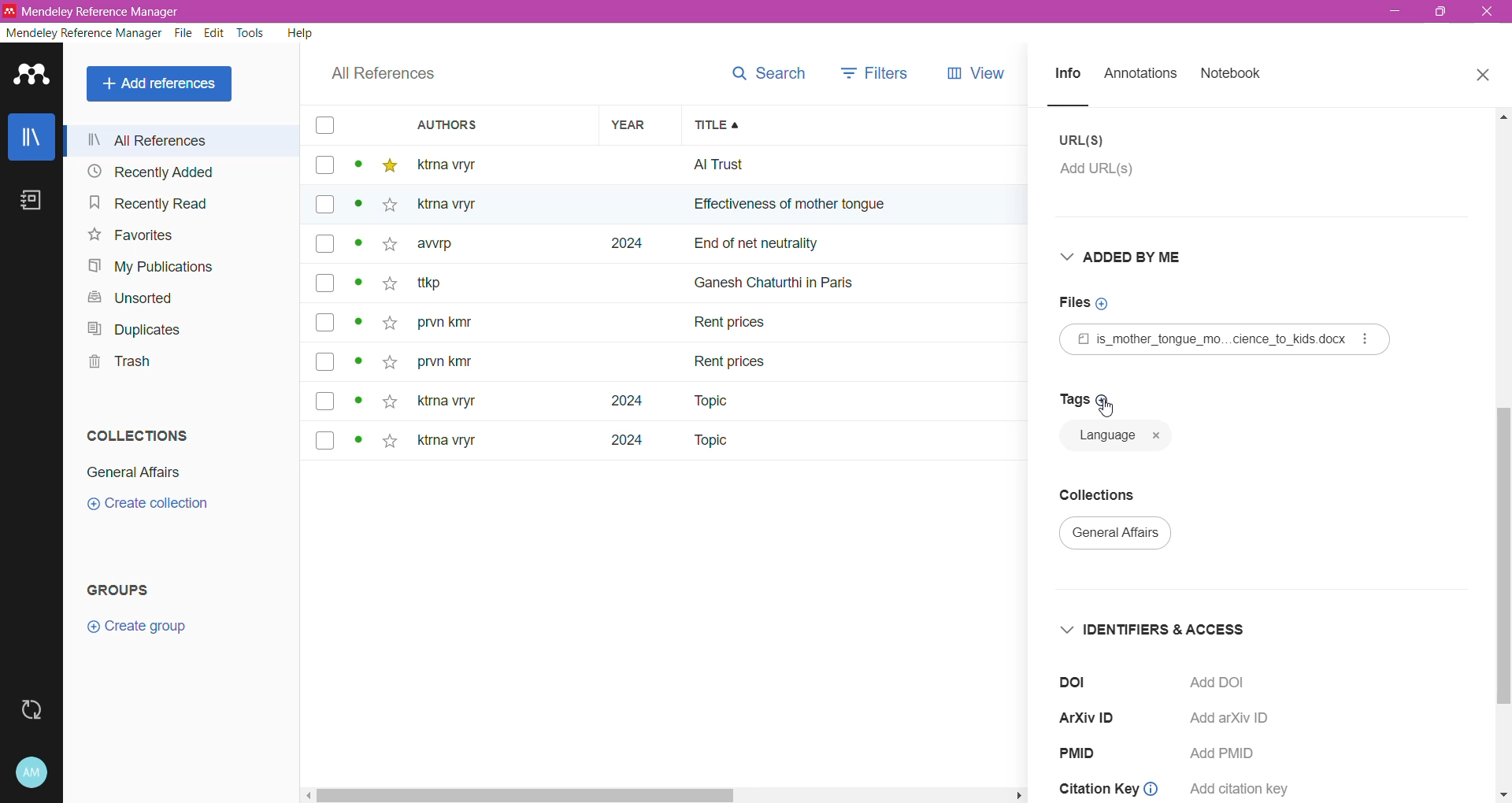 The height and width of the screenshot is (803, 1512). I want to click on awrp, so click(447, 249).